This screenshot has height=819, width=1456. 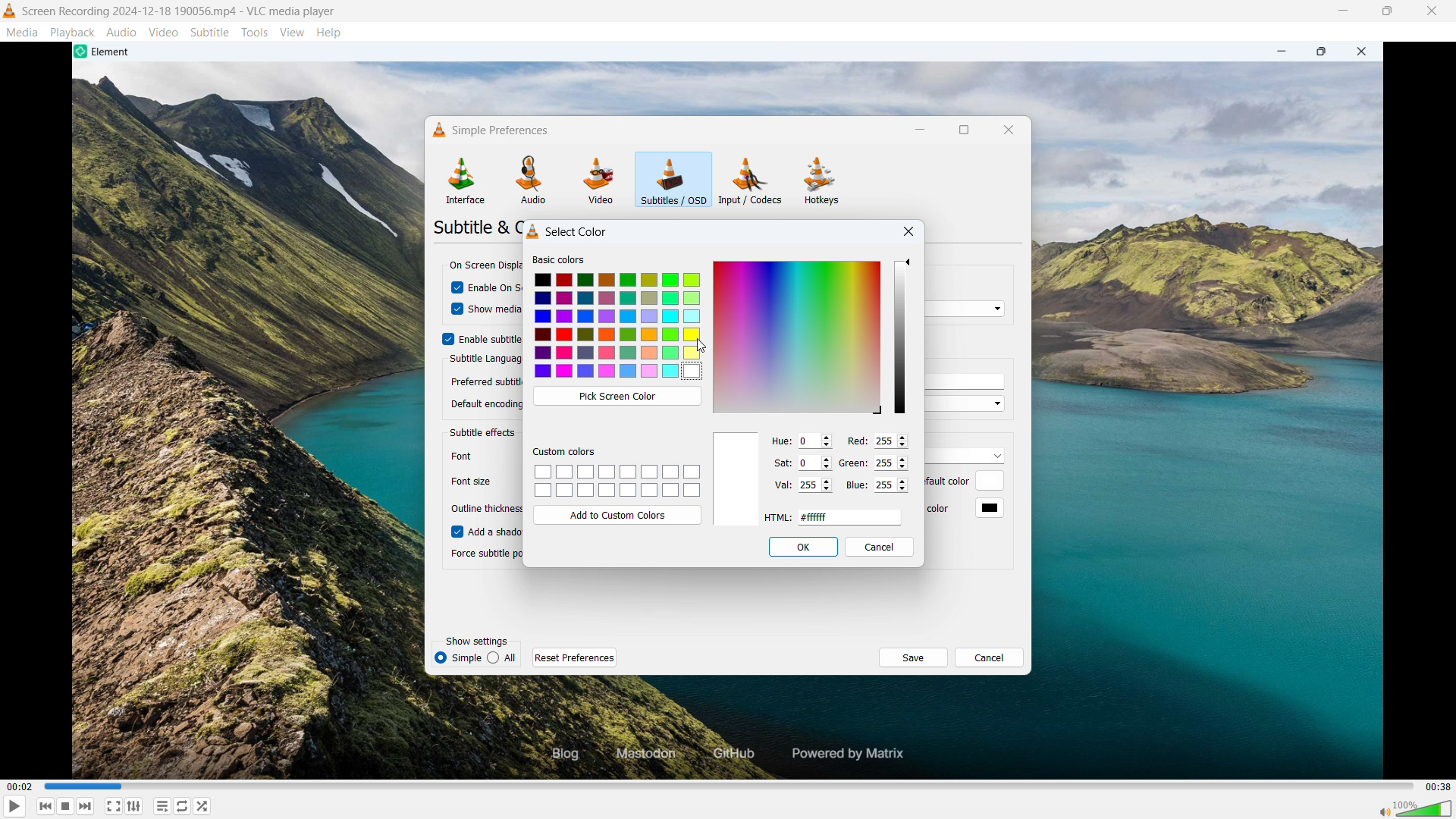 I want to click on Full screen , so click(x=114, y=805).